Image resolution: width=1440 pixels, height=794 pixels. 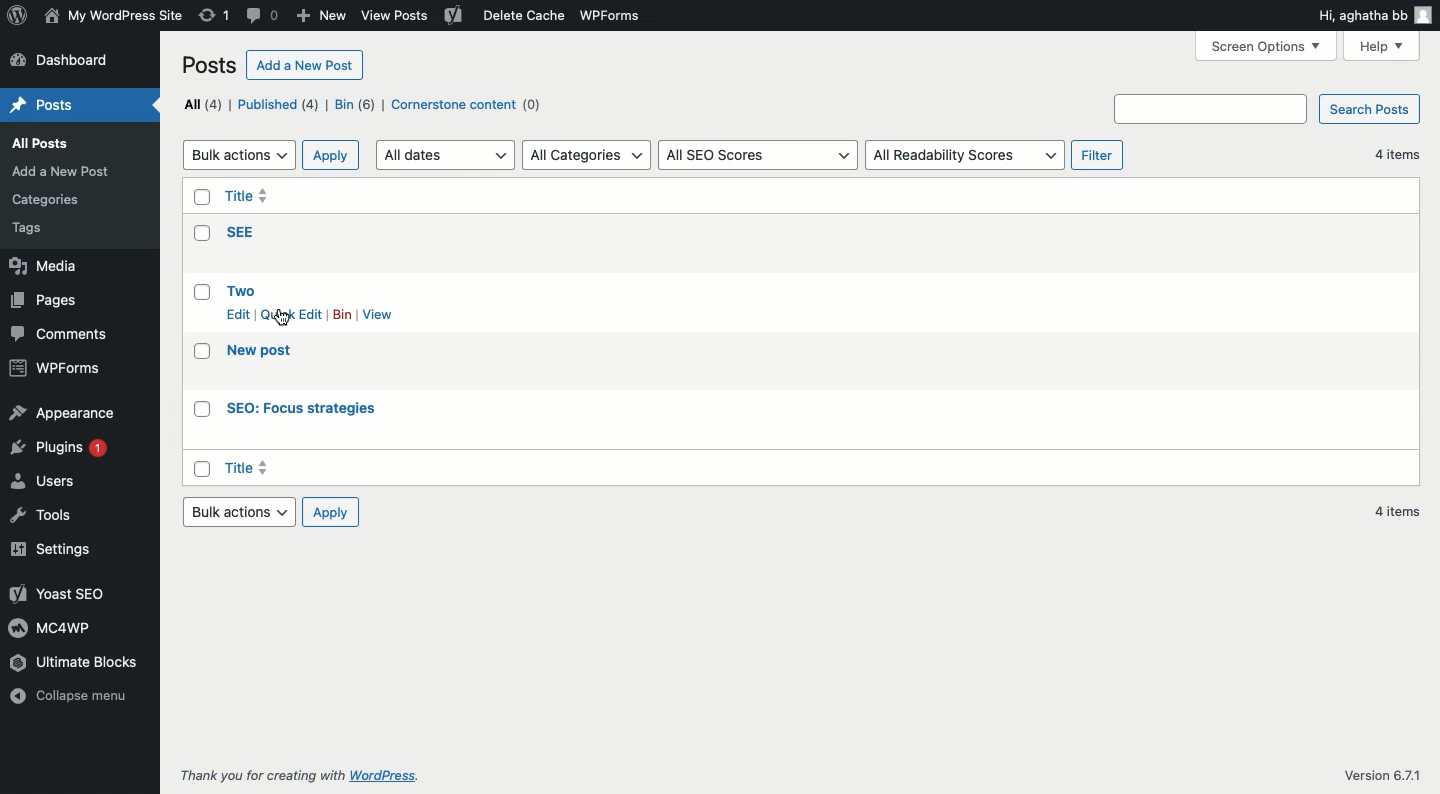 I want to click on View, so click(x=382, y=314).